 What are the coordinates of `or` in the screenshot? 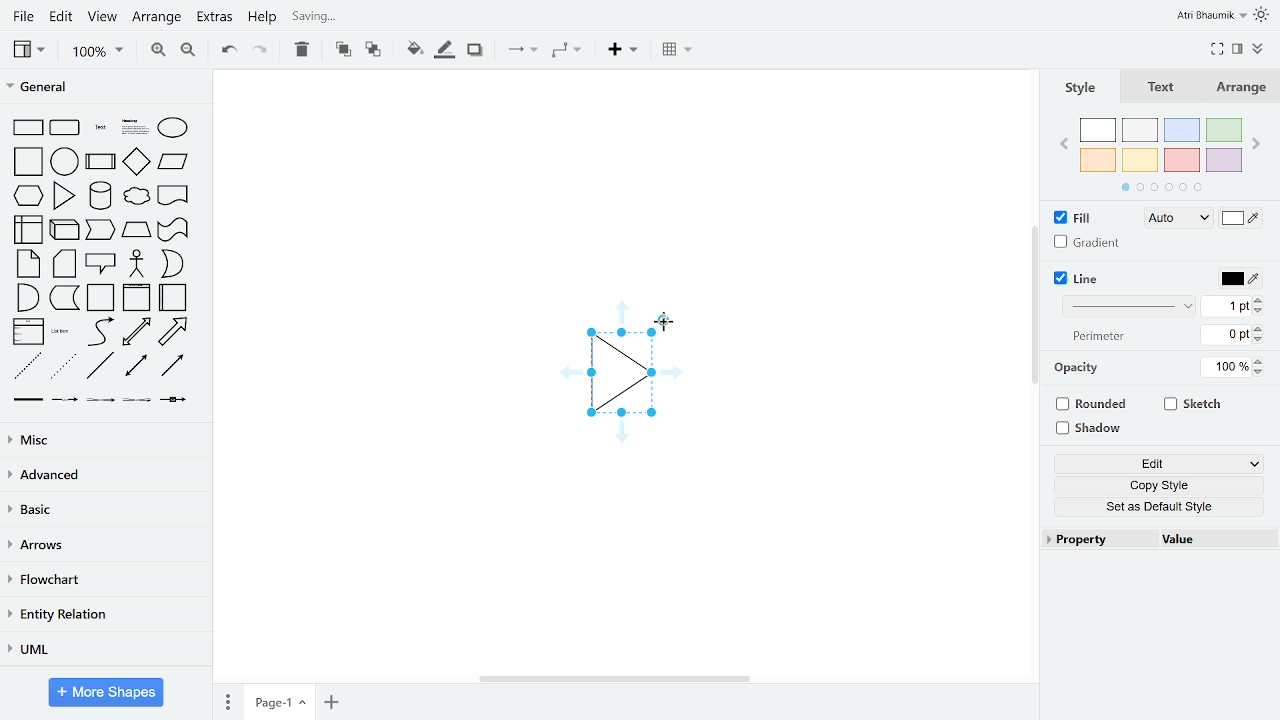 It's located at (171, 264).